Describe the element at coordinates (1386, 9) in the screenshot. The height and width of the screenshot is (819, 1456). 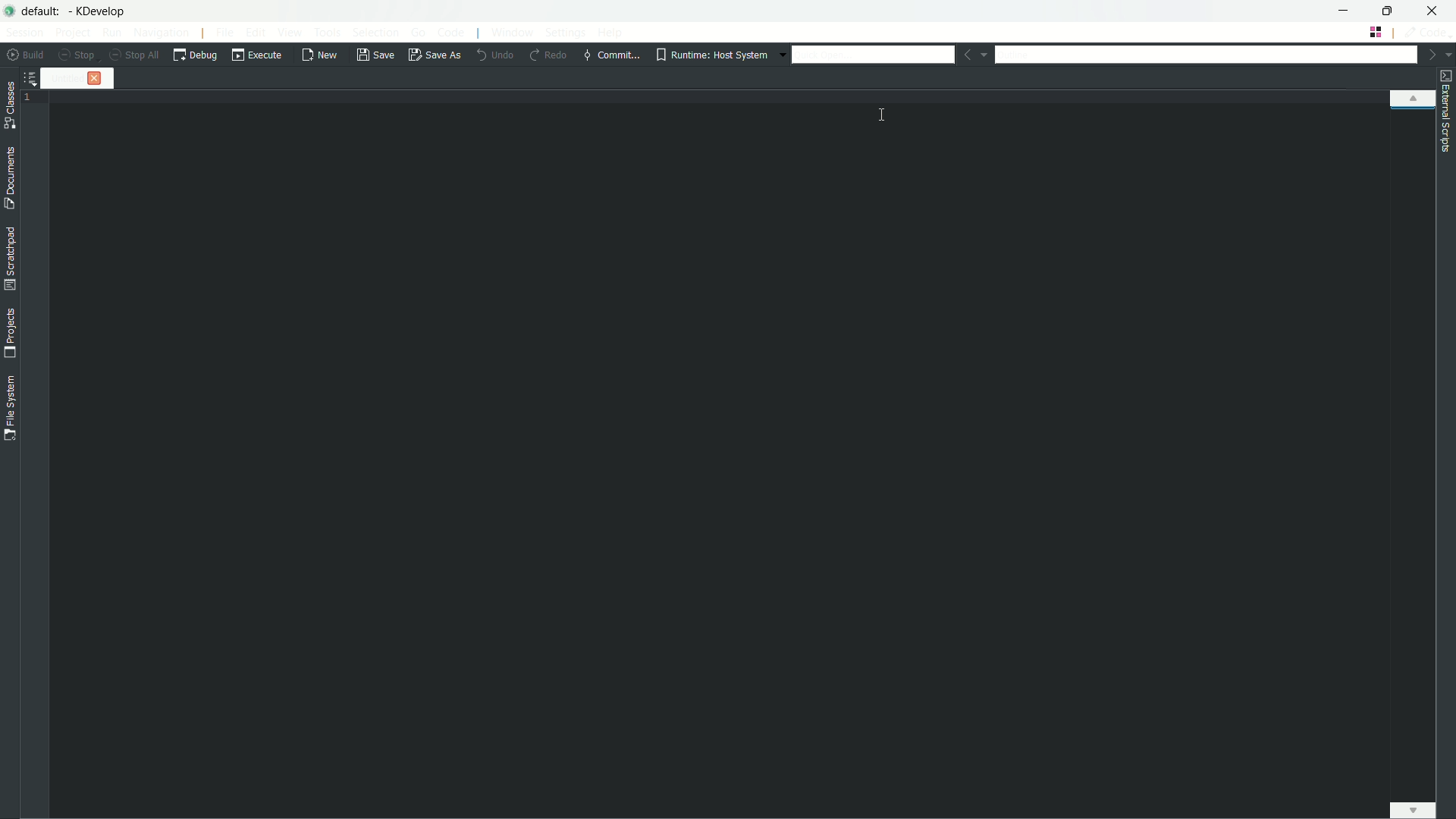
I see `maximize or restore` at that location.